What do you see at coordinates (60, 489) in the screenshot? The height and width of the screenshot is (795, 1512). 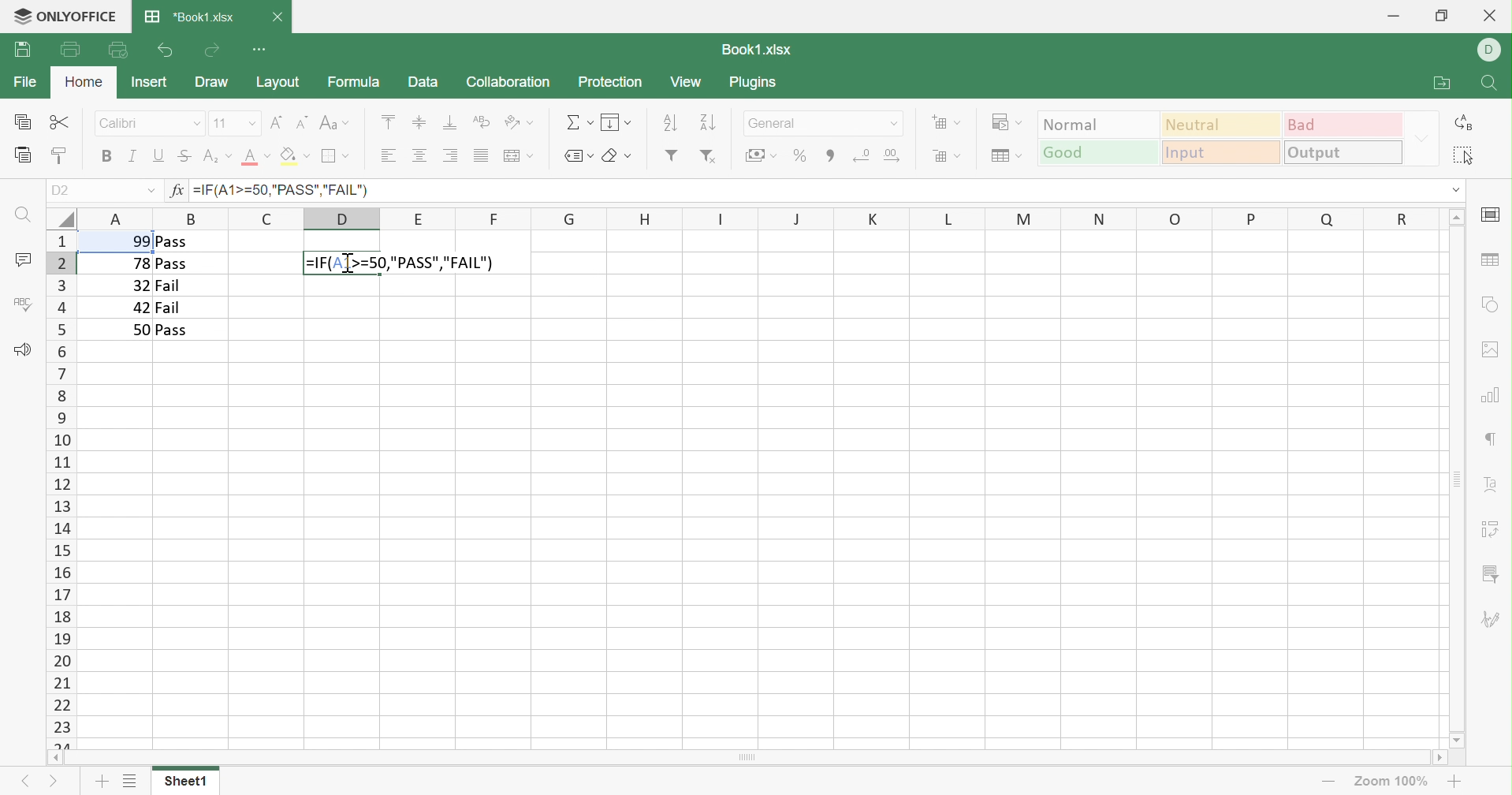 I see `Row names` at bounding box center [60, 489].